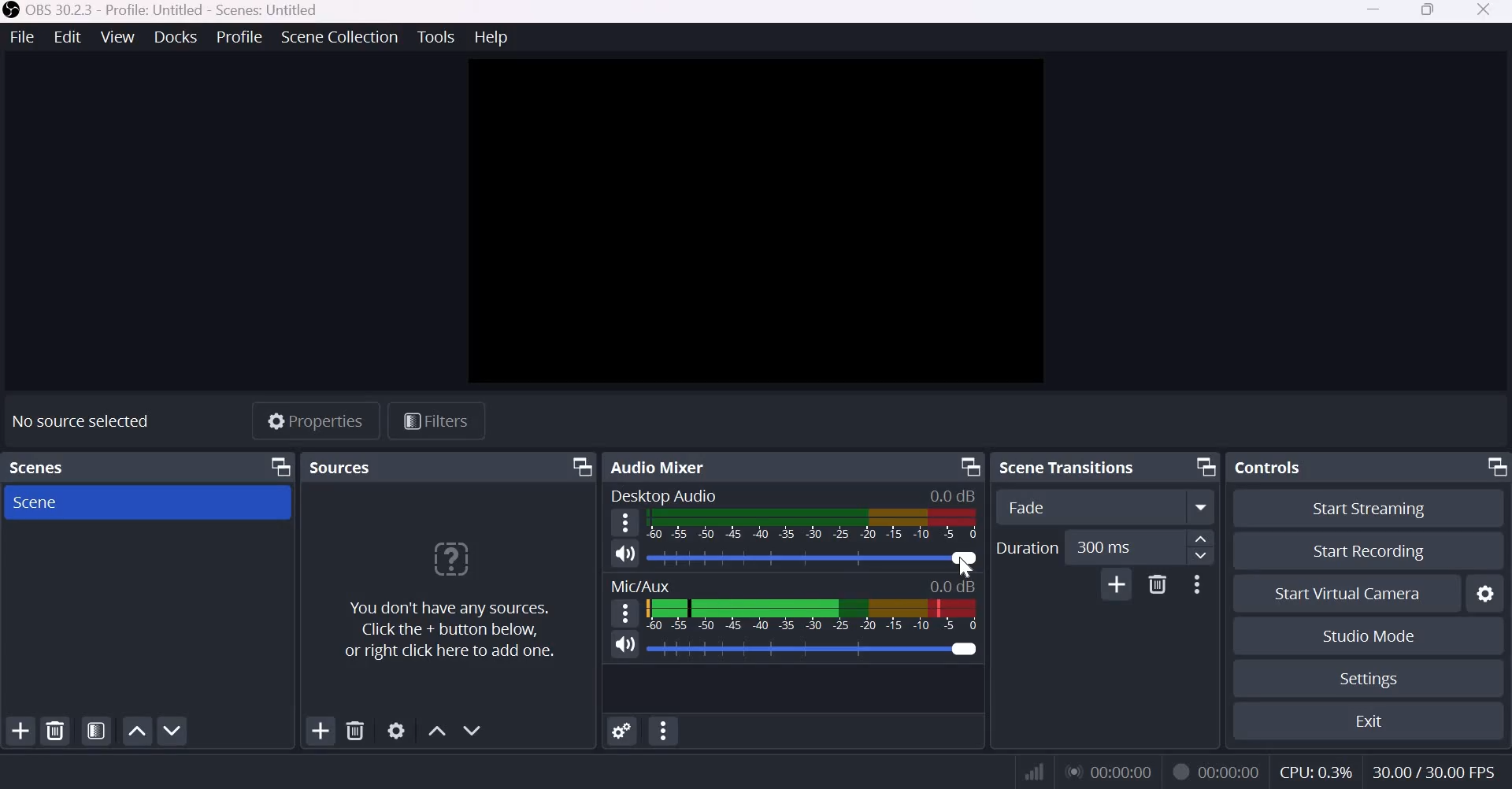 This screenshot has width=1512, height=789. Describe the element at coordinates (43, 468) in the screenshot. I see `Scenes` at that location.